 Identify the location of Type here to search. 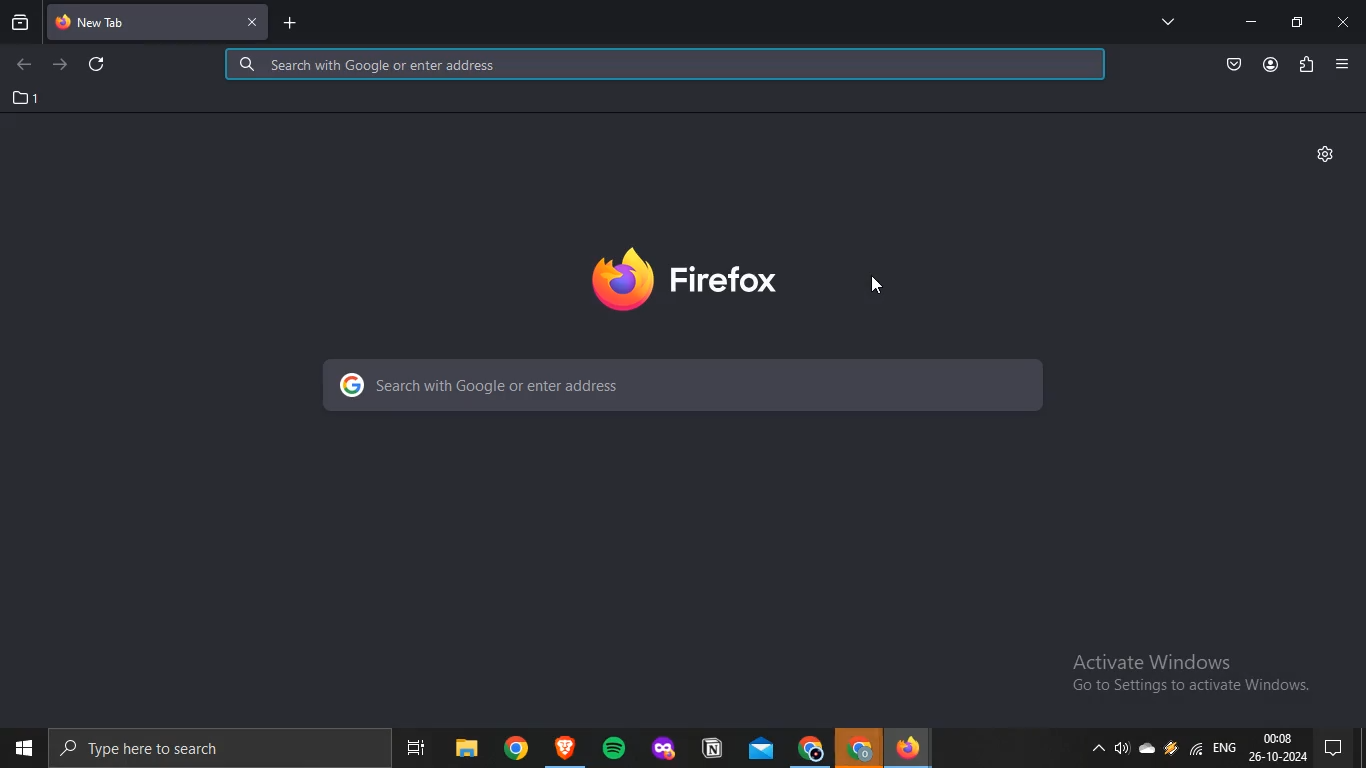
(162, 752).